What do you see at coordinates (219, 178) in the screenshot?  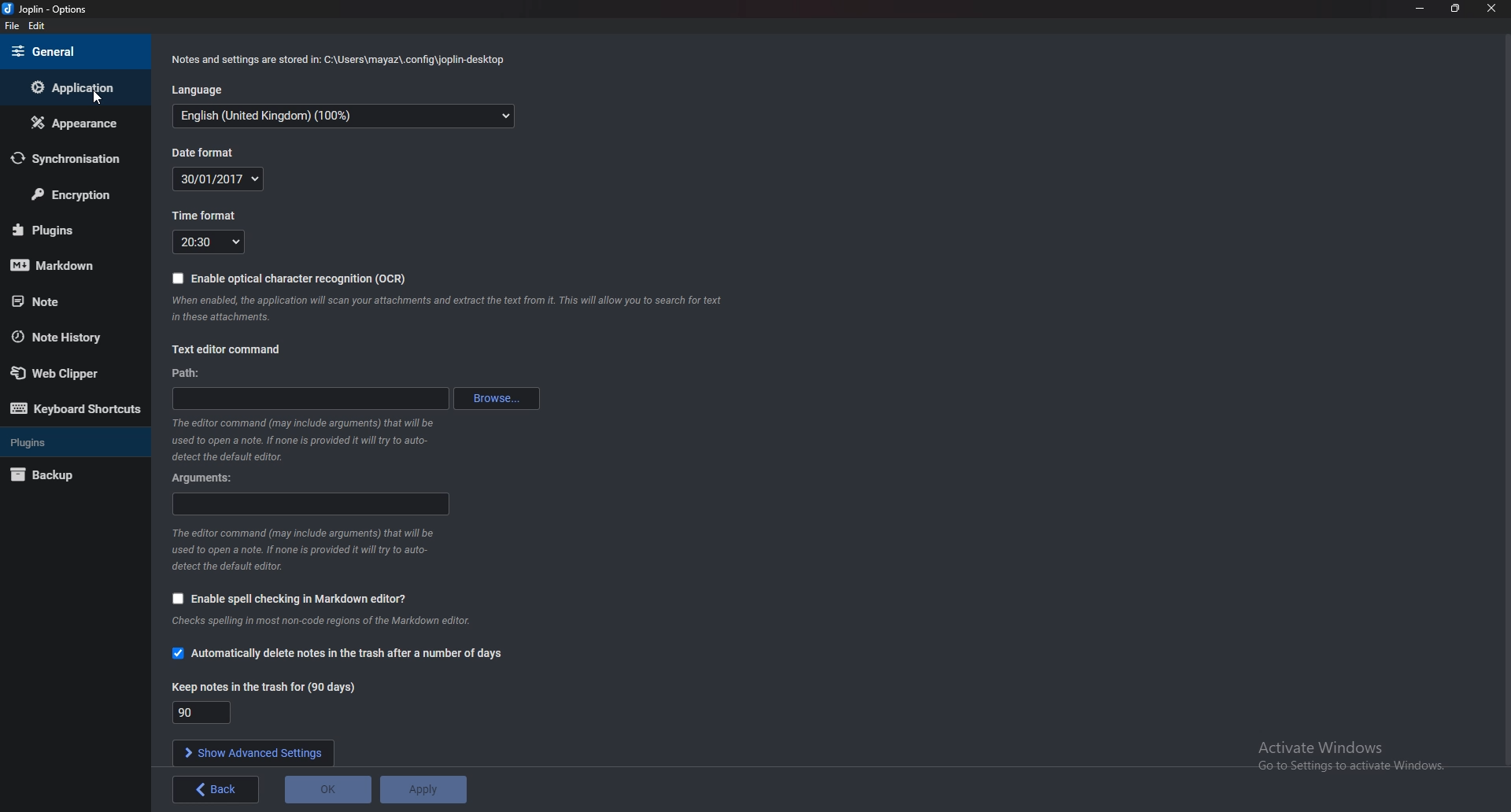 I see `date format` at bounding box center [219, 178].